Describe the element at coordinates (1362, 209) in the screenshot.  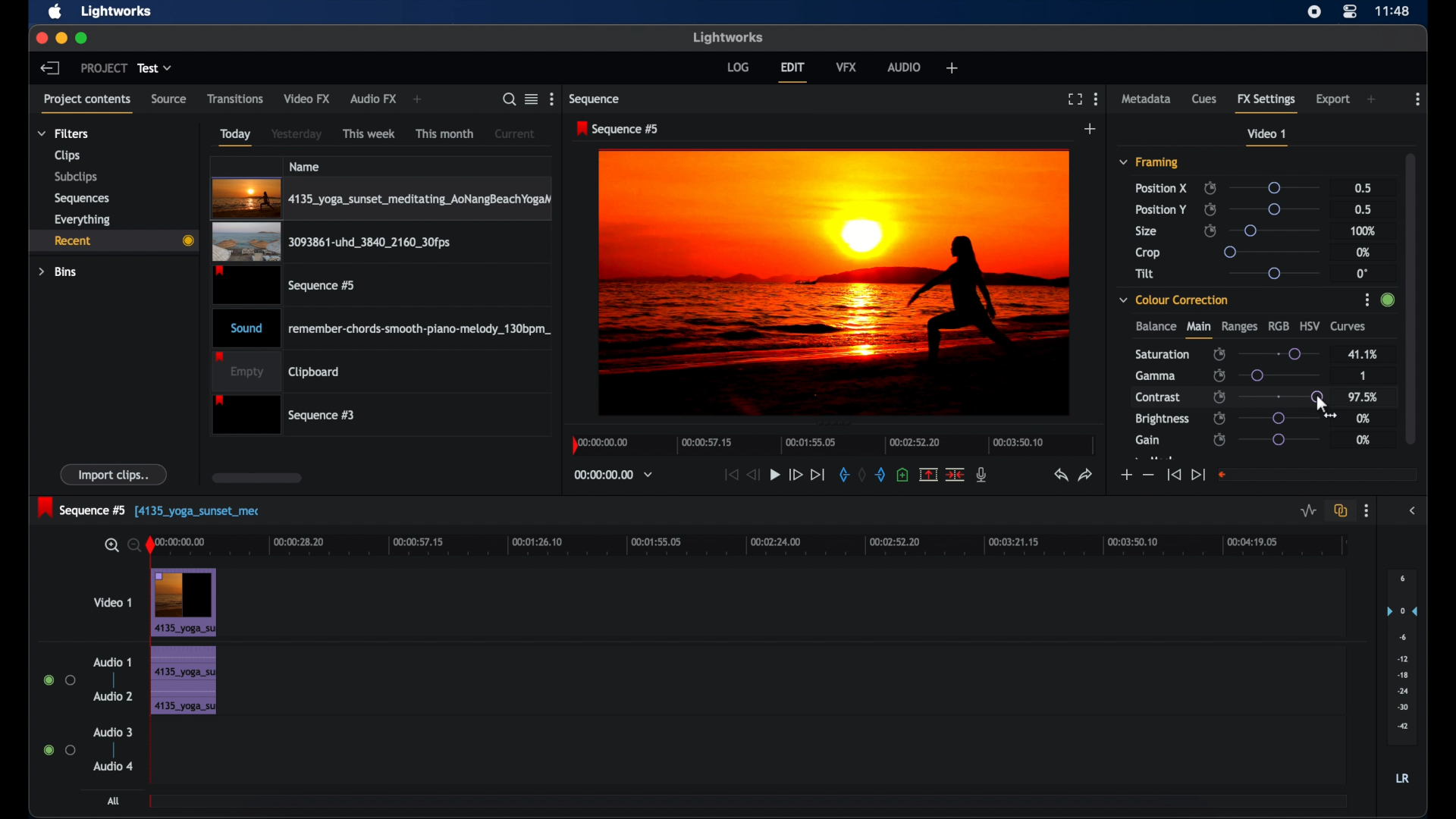
I see `0.5` at that location.